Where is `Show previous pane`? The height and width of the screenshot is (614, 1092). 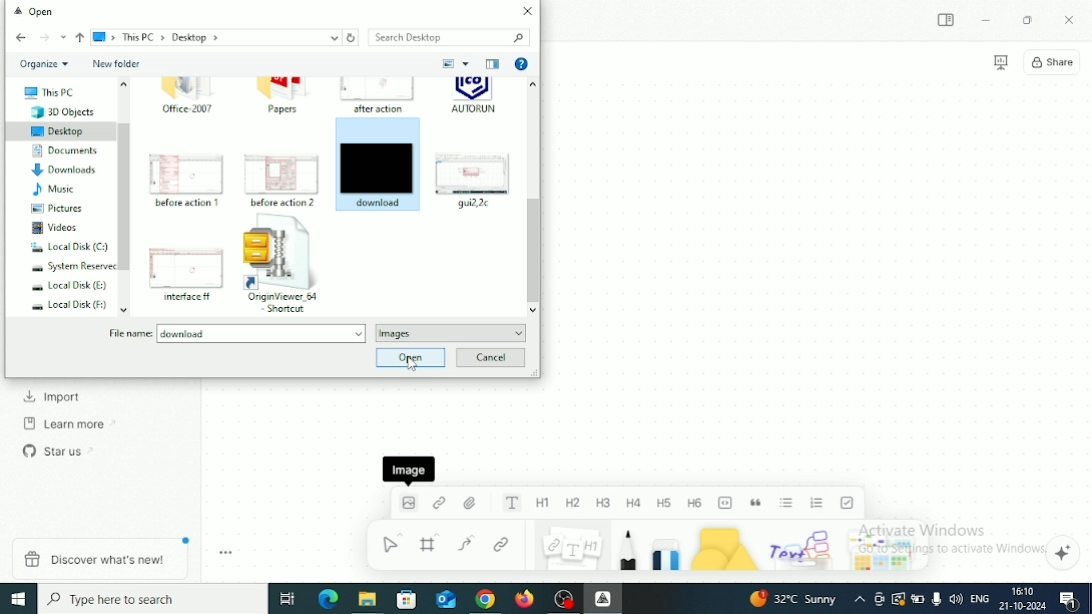
Show previous pane is located at coordinates (495, 66).